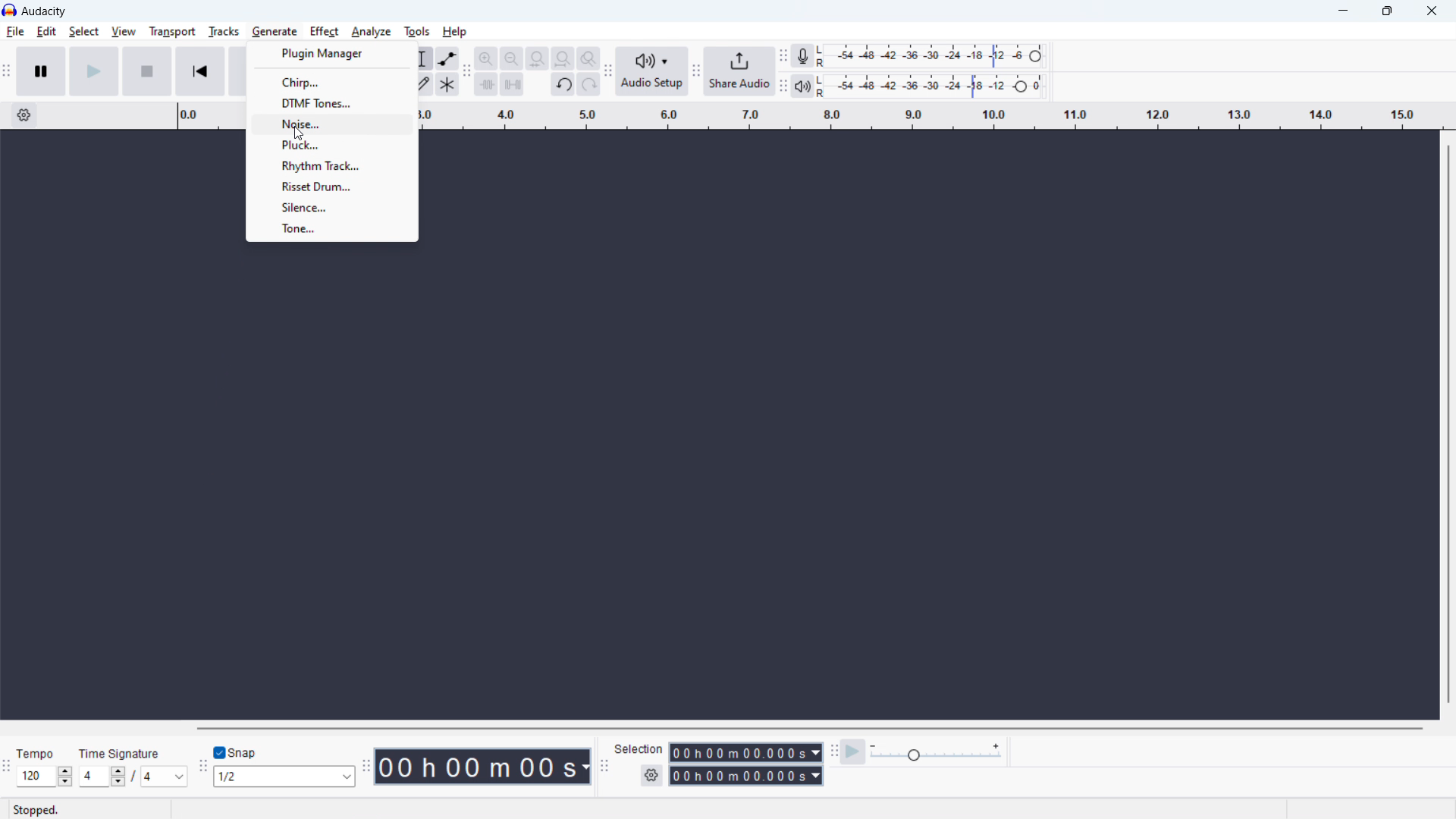  I want to click on Tempo, so click(38, 753).